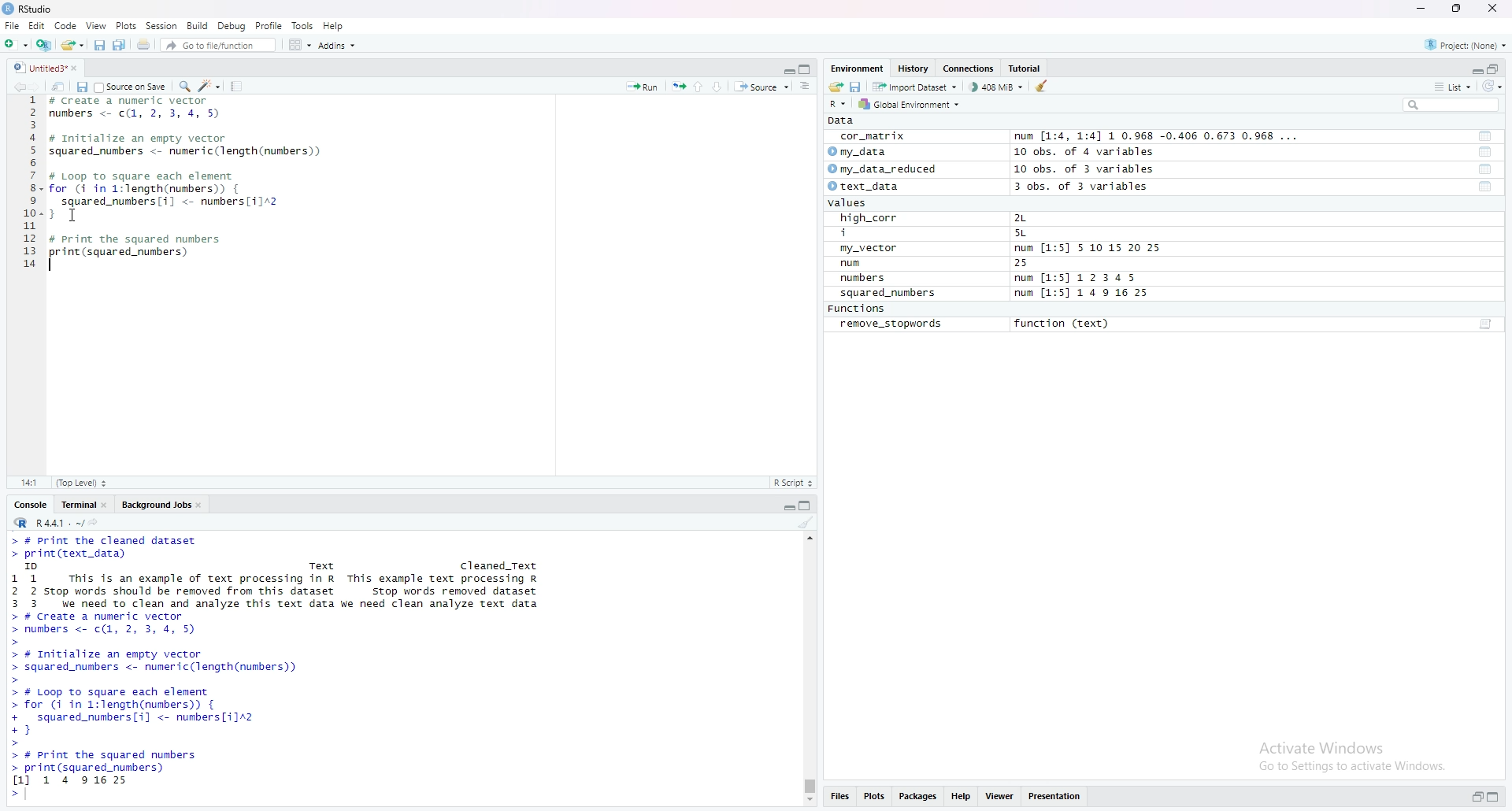 The image size is (1512, 811). I want to click on Addins, so click(336, 45).